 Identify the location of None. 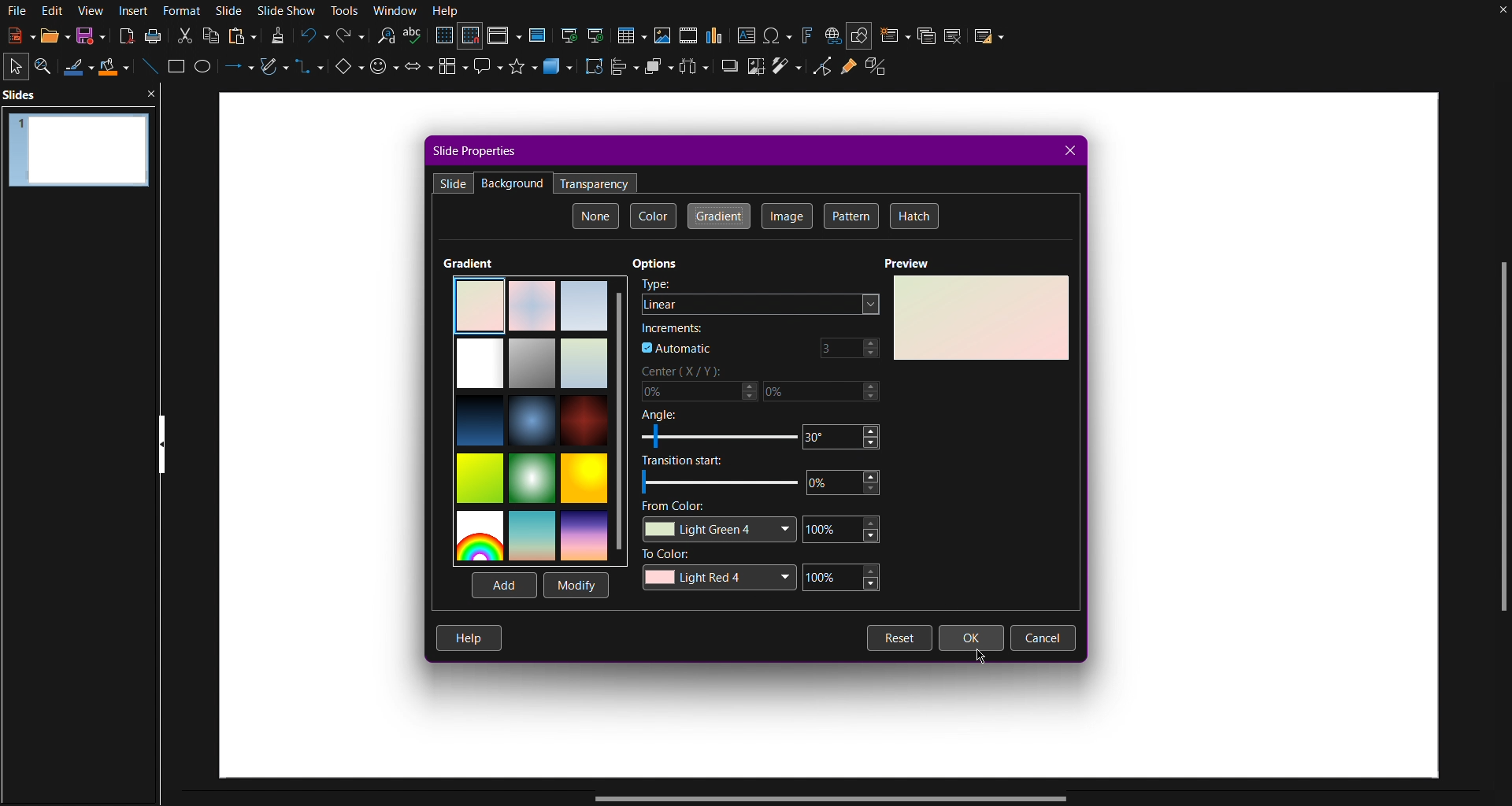
(596, 216).